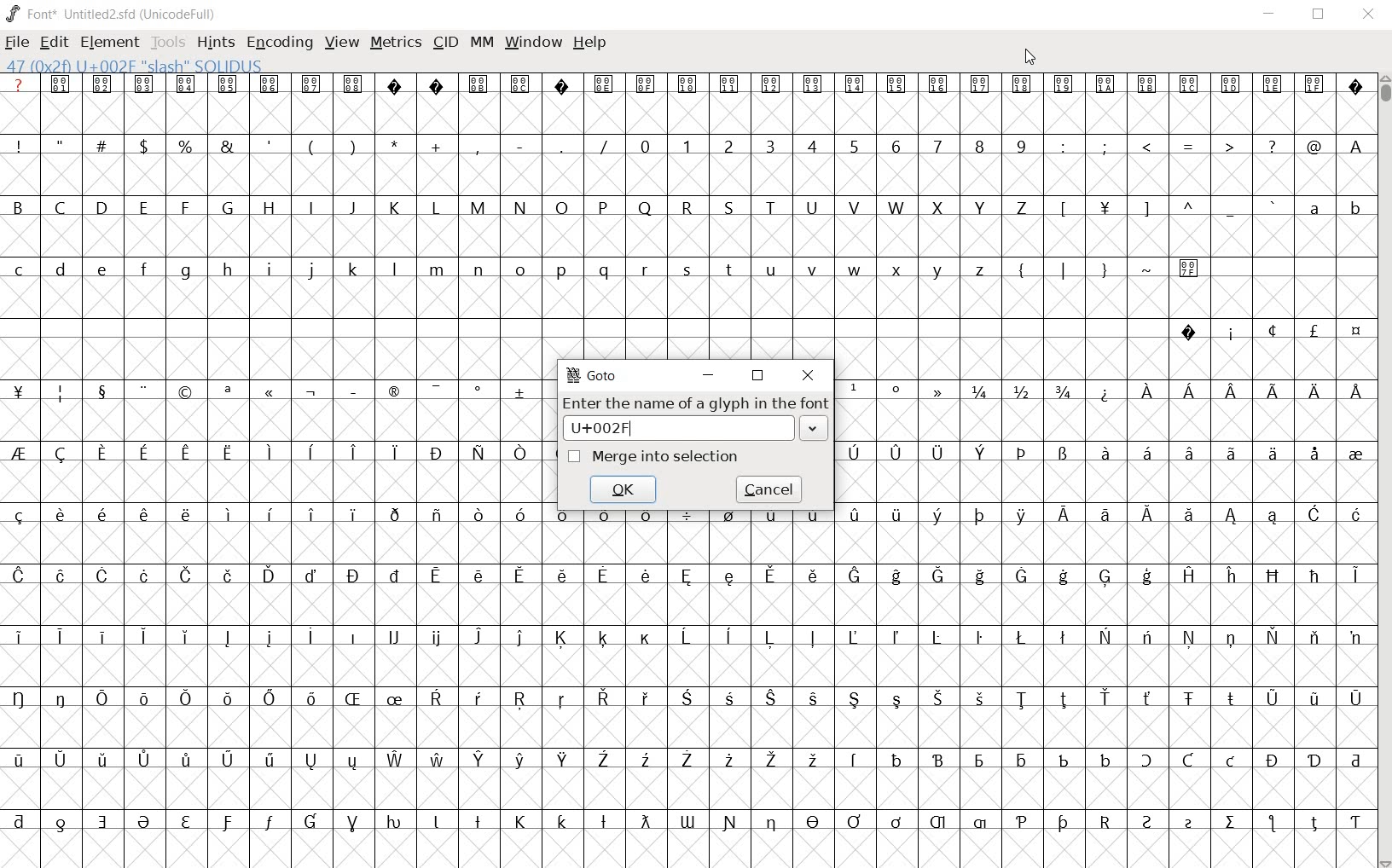 The width and height of the screenshot is (1392, 868). I want to click on special letters, so click(275, 514).